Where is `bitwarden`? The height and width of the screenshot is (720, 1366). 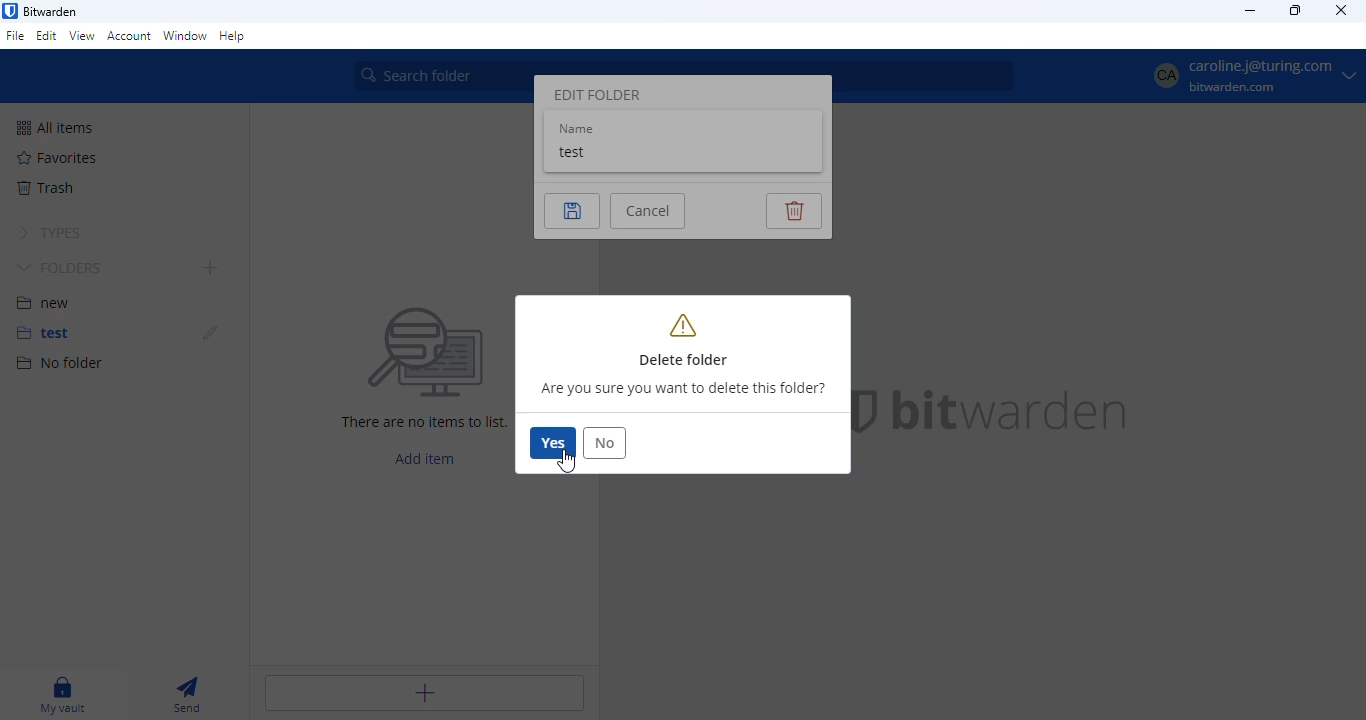
bitwarden is located at coordinates (50, 12).